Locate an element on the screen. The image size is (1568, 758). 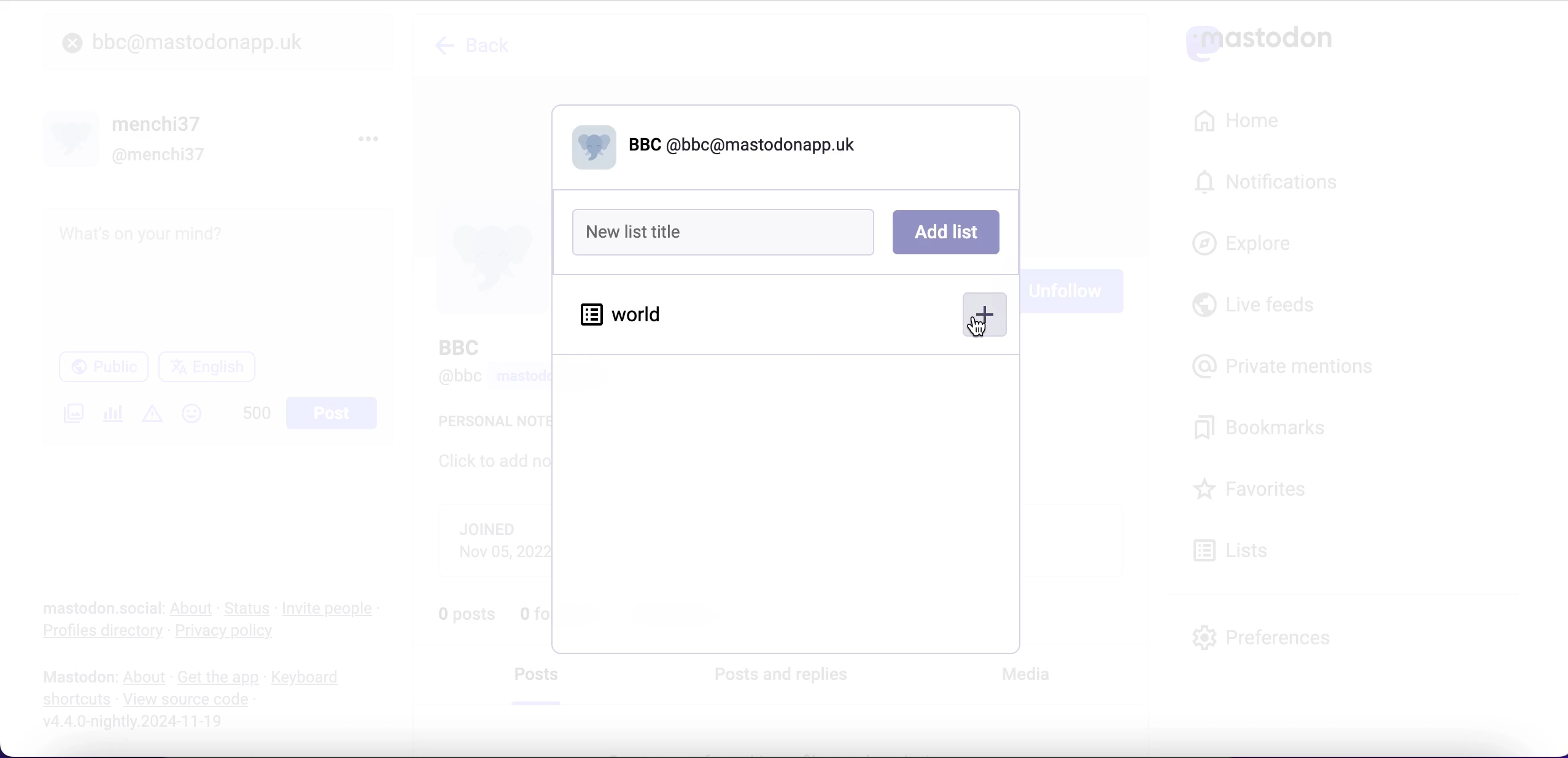
get the app is located at coordinates (217, 677).